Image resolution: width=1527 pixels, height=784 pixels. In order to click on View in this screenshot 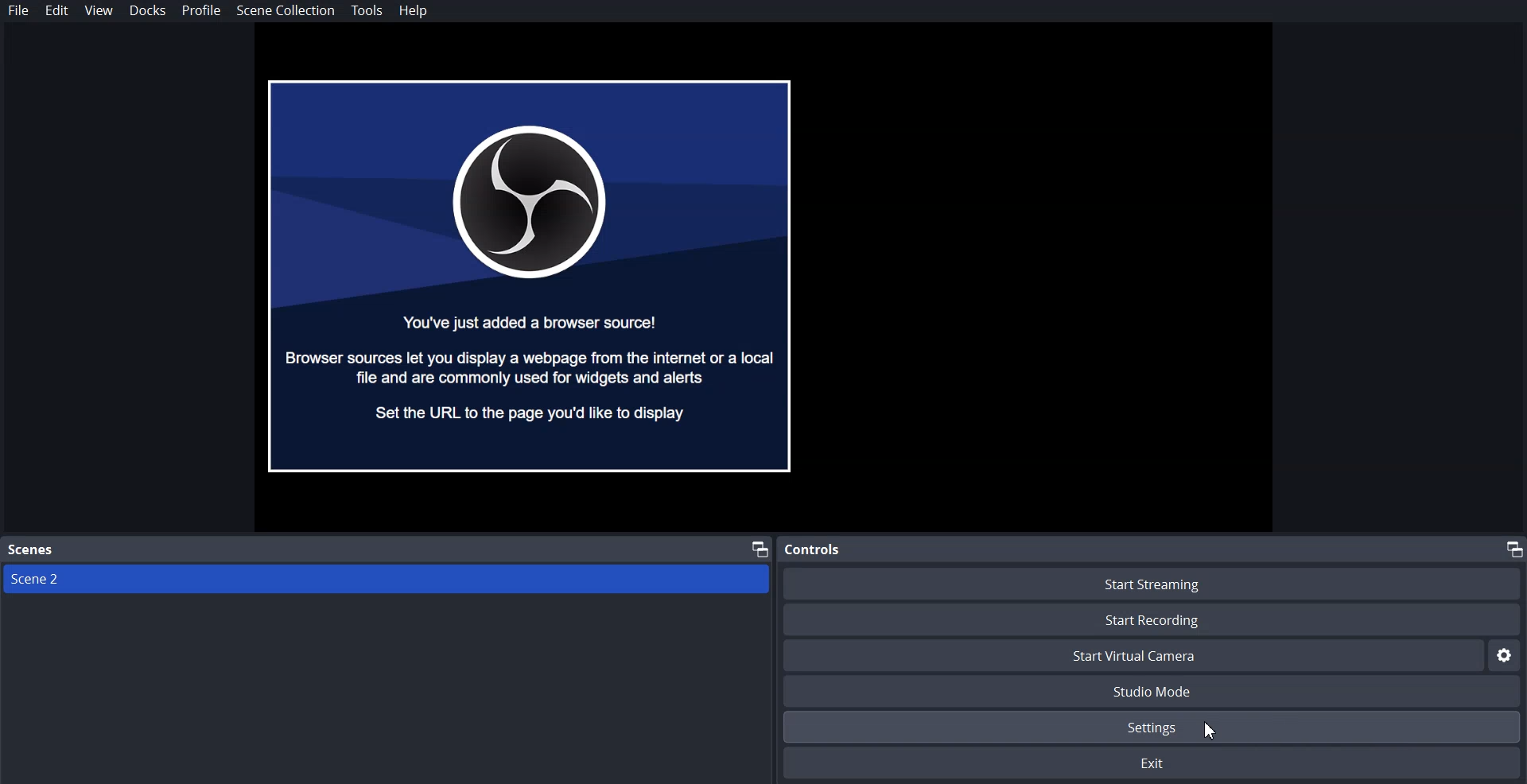, I will do `click(99, 10)`.